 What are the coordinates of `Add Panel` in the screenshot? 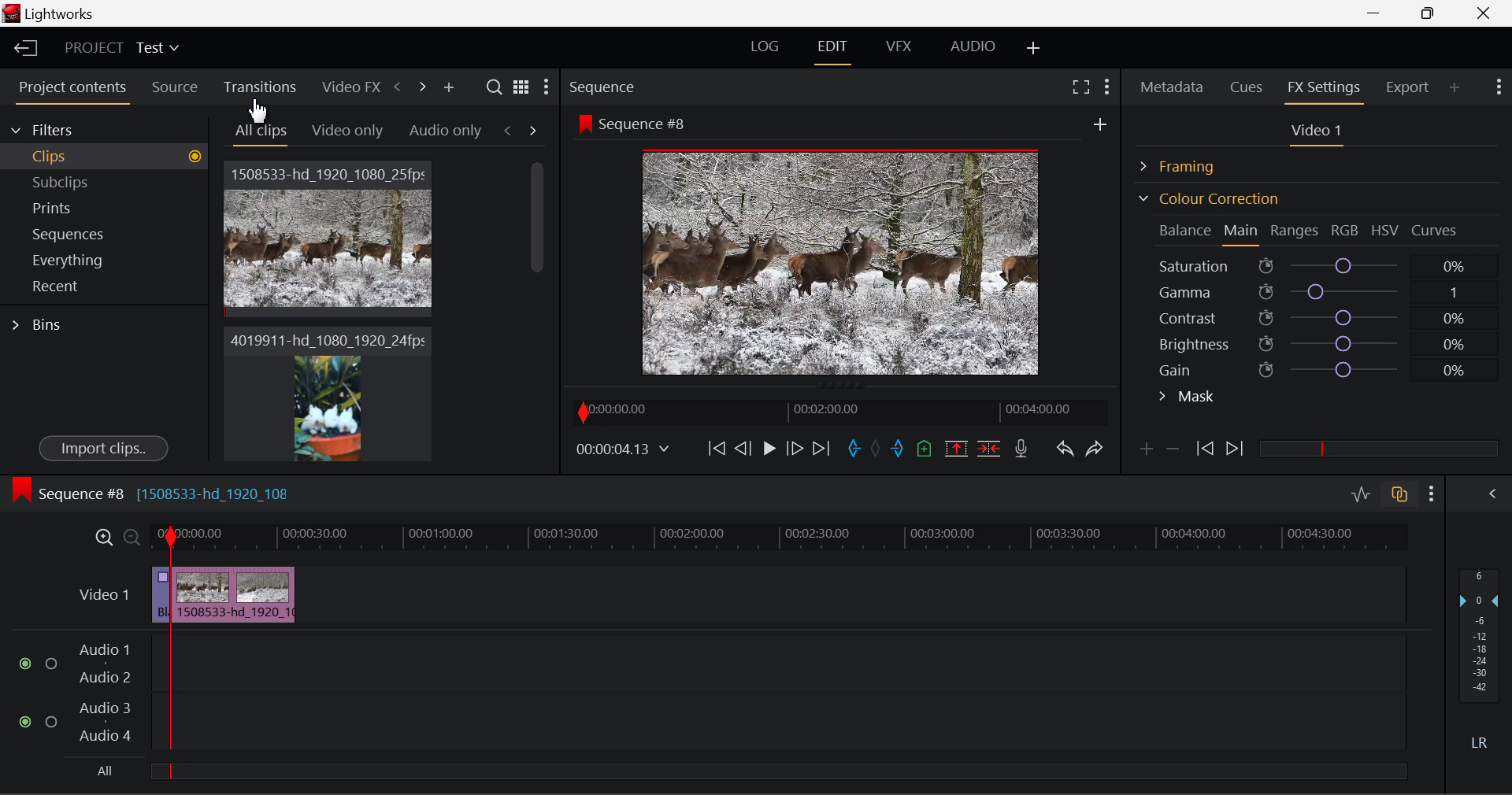 It's located at (1455, 87).